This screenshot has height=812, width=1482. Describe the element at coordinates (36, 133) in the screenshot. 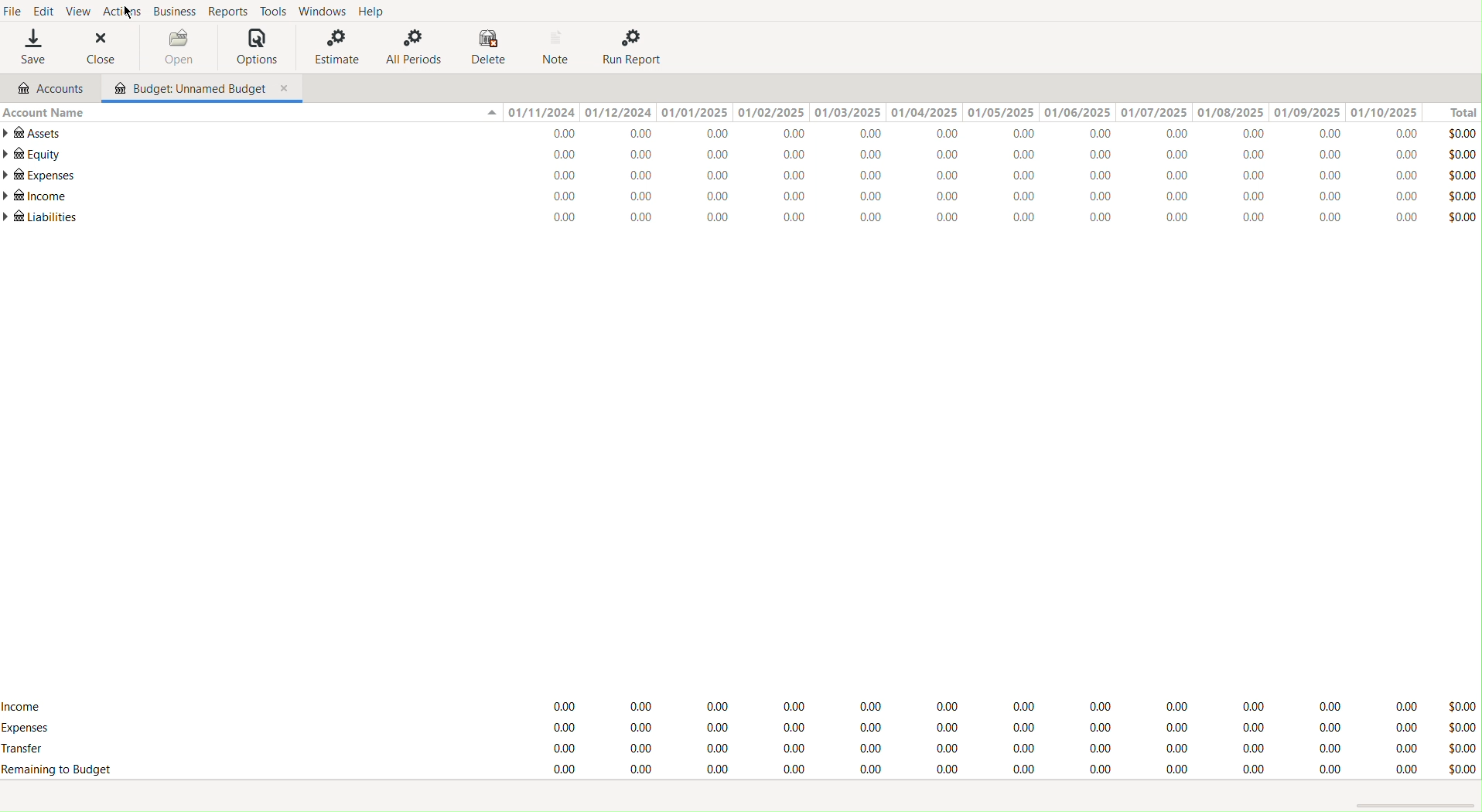

I see `Assets` at that location.